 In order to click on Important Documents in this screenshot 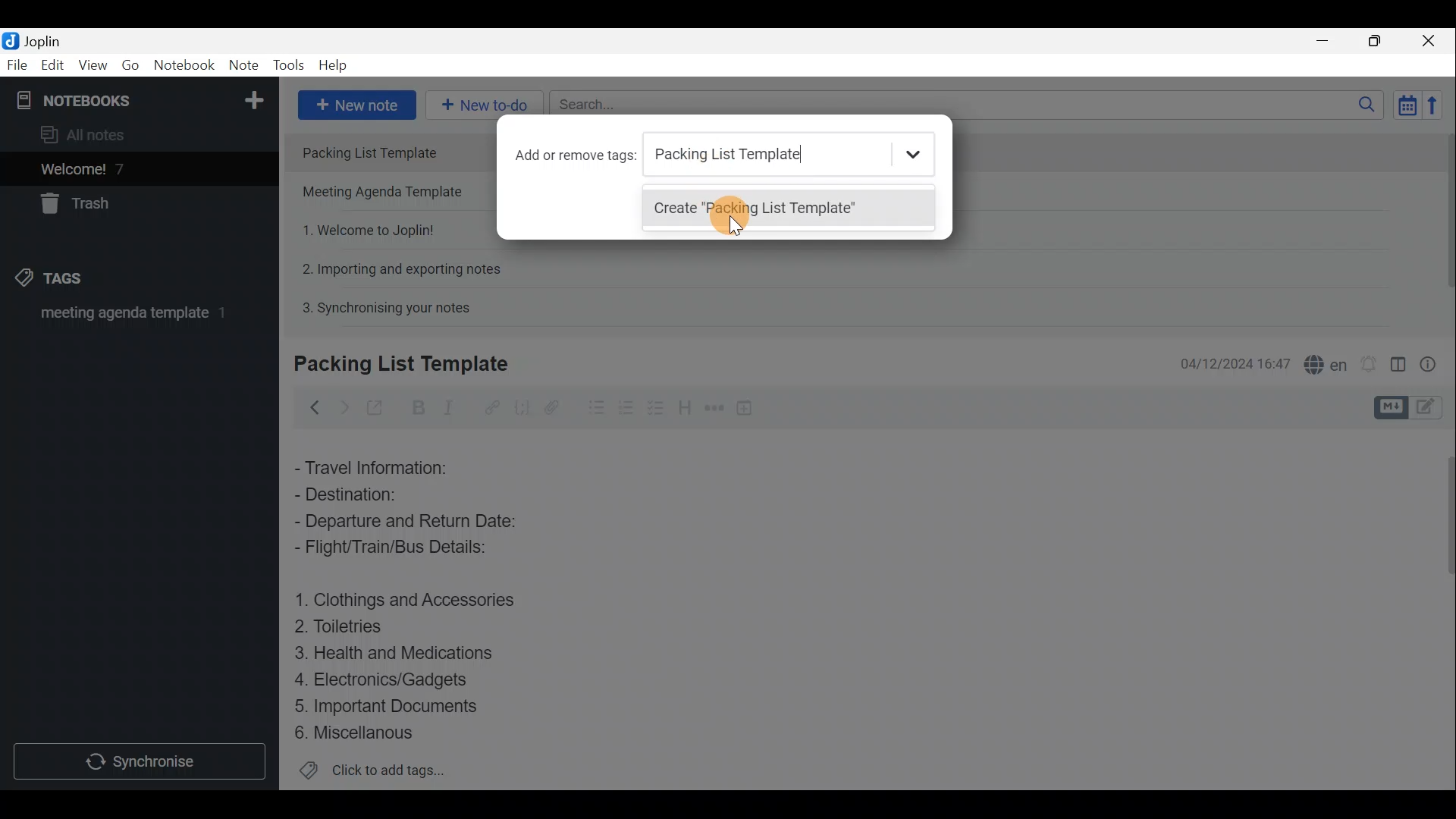, I will do `click(390, 705)`.